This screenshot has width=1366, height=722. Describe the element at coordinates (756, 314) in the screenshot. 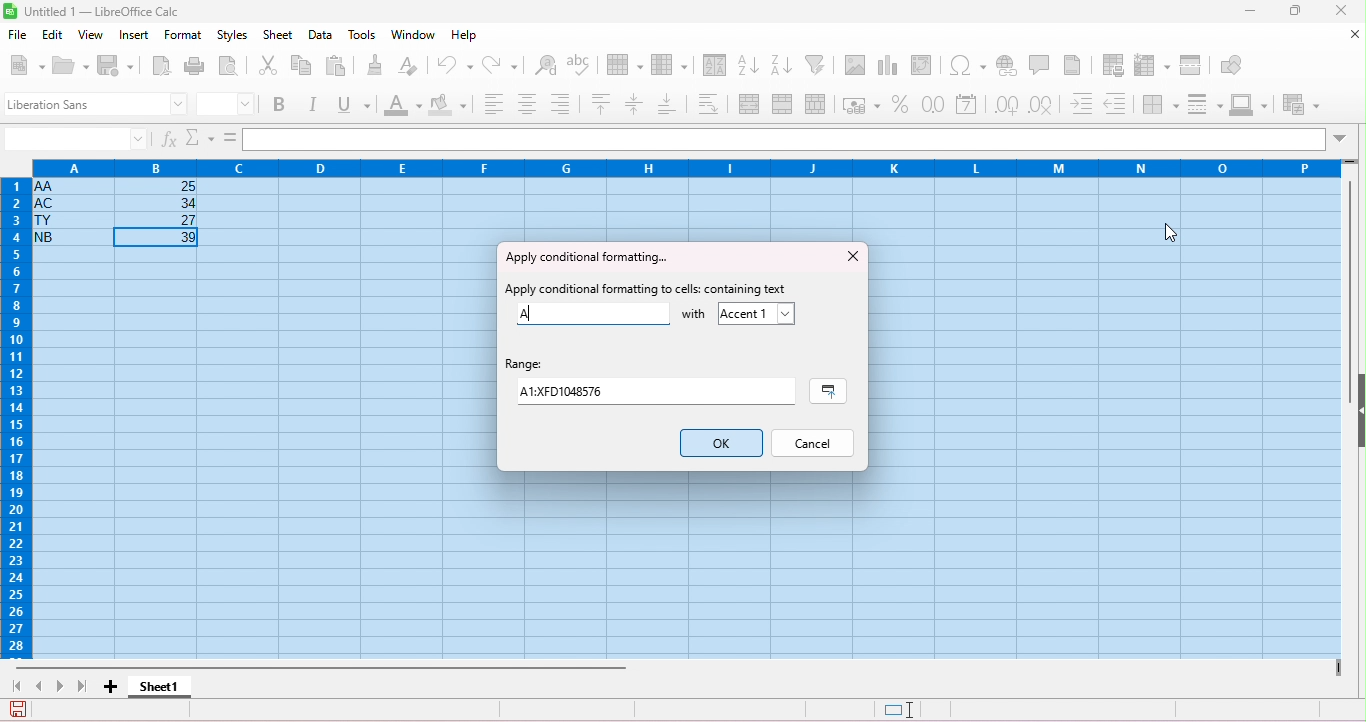

I see `accept` at that location.